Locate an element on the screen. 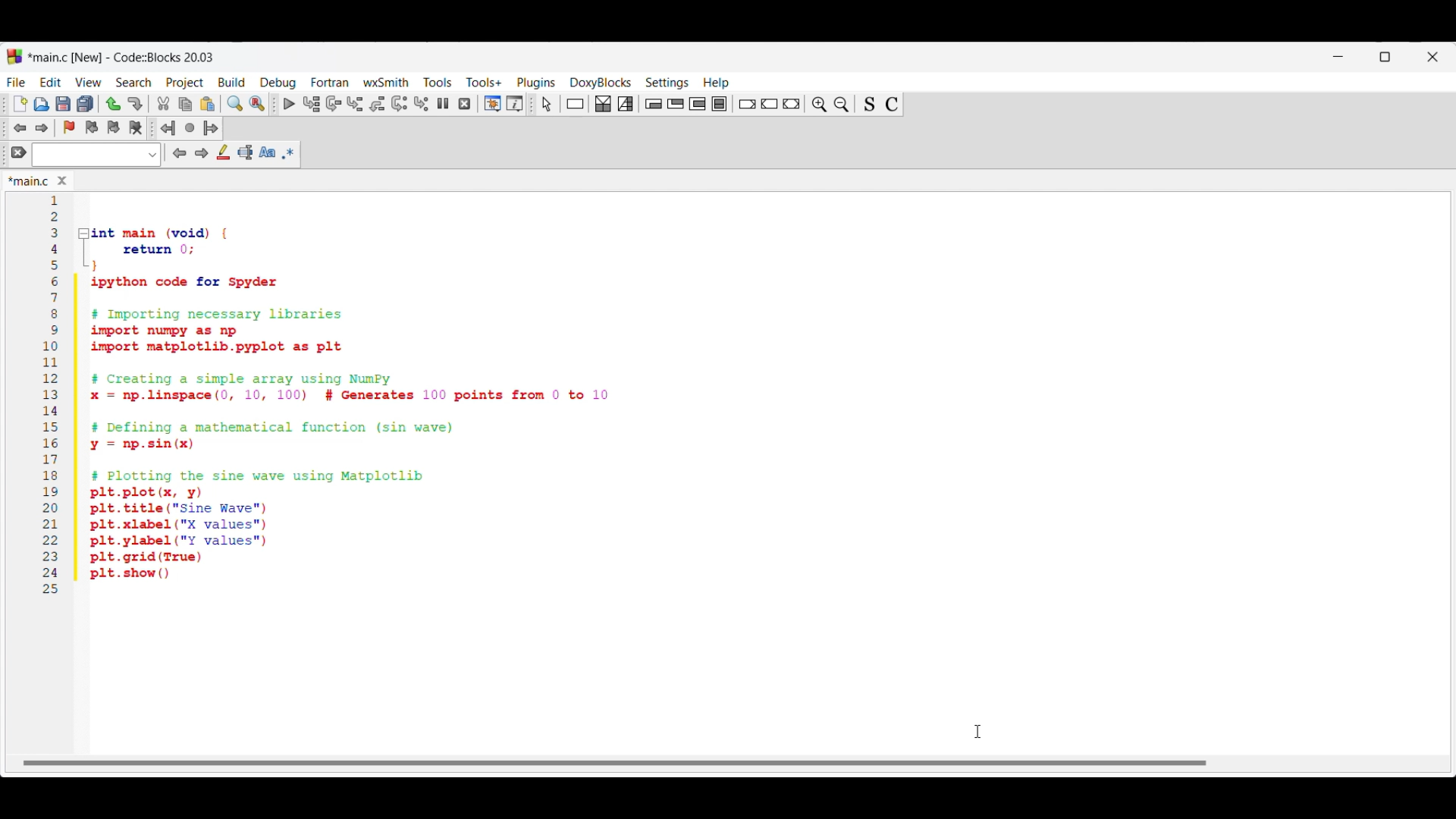  Build menu is located at coordinates (231, 82).